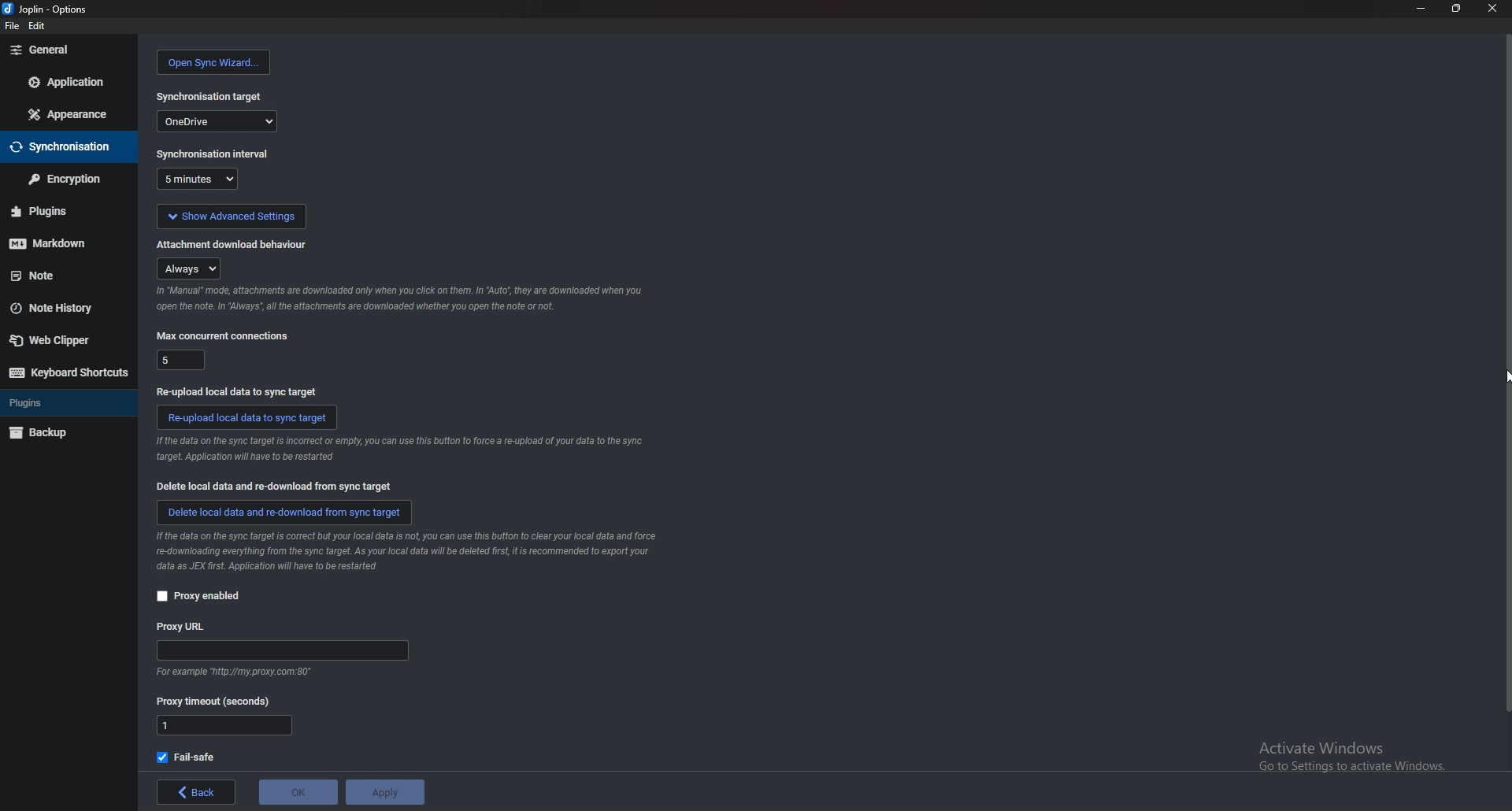  I want to click on delete local data, so click(279, 487).